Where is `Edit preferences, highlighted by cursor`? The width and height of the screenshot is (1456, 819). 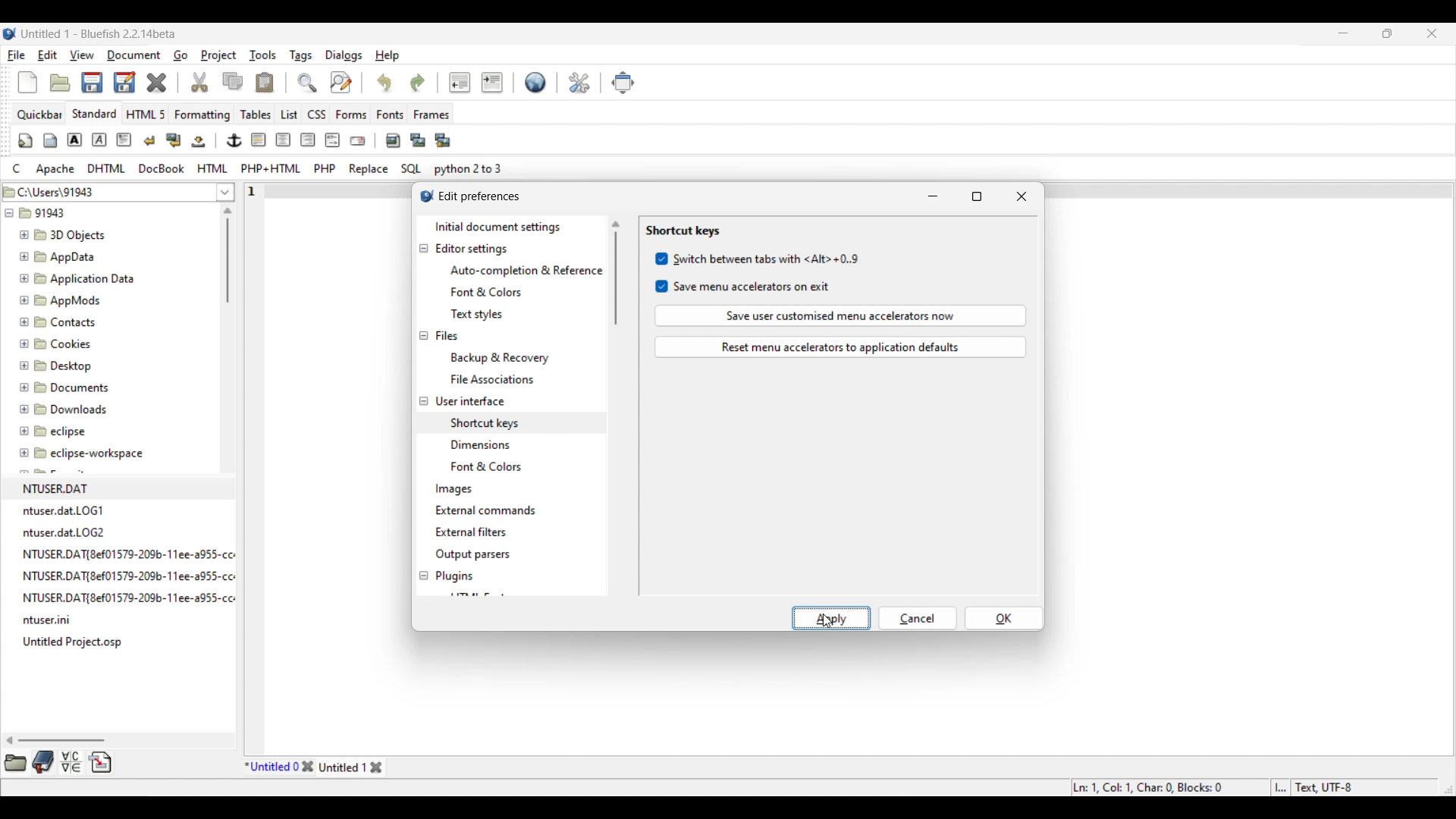
Edit preferences, highlighted by cursor is located at coordinates (579, 81).